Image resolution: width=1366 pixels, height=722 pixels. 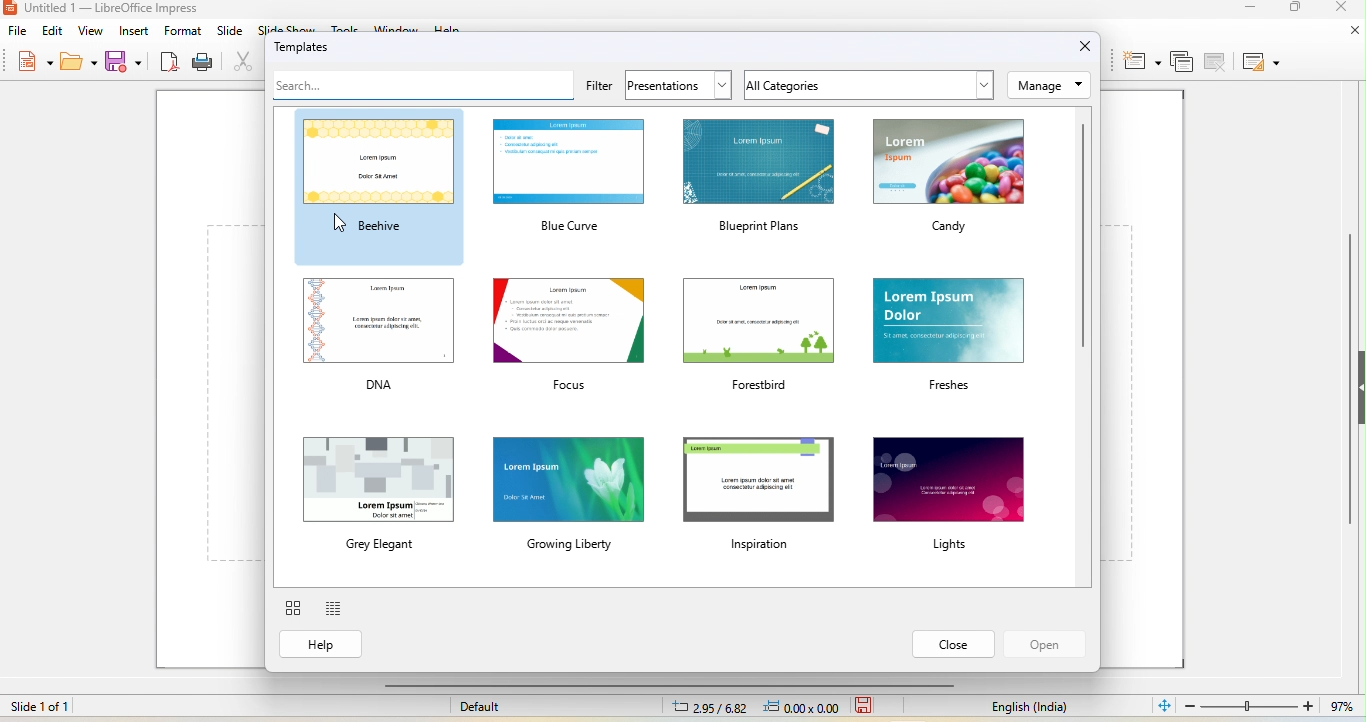 I want to click on blue curve, so click(x=569, y=179).